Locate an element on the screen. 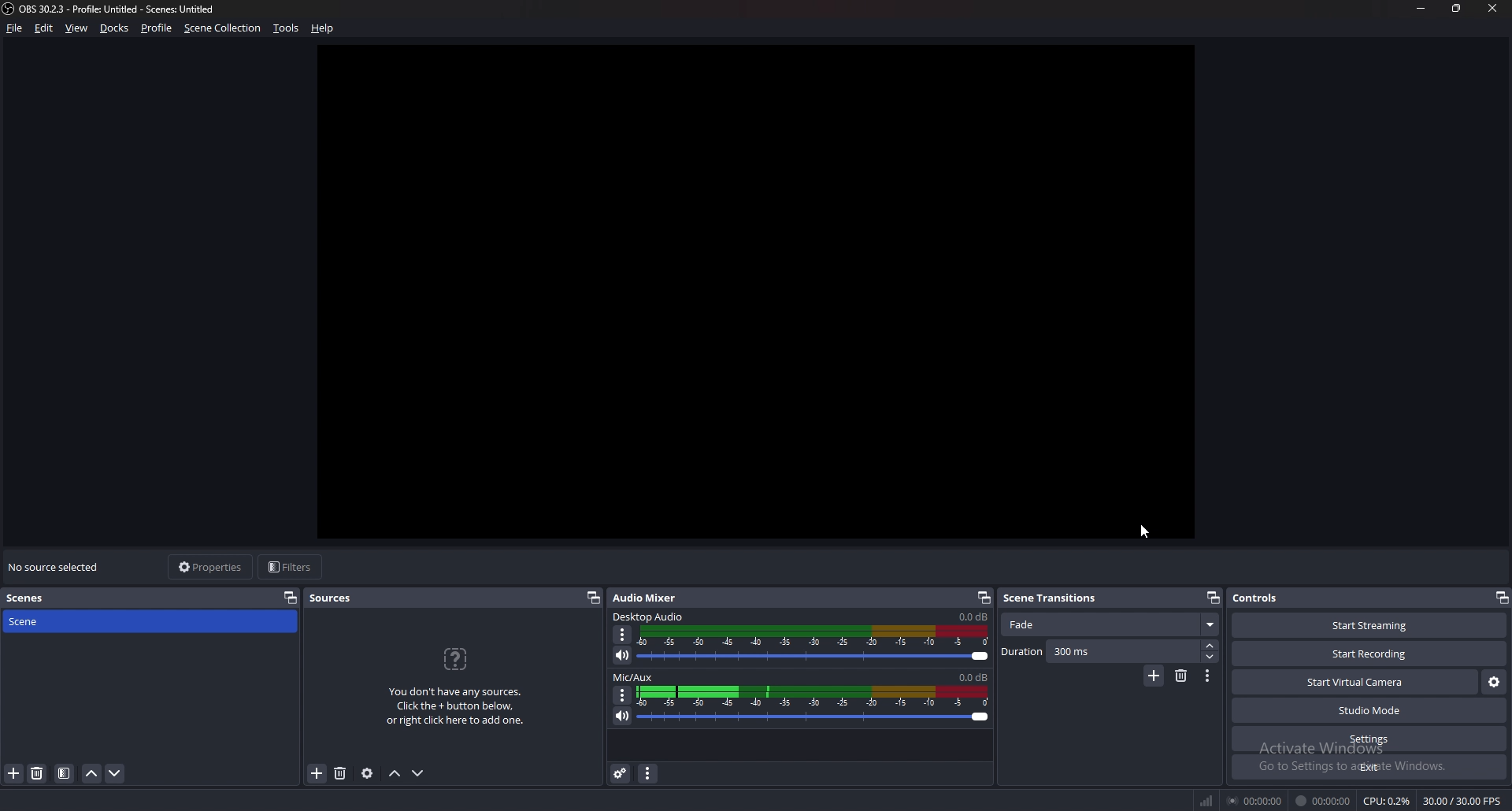 This screenshot has width=1512, height=811. advanced audio properties is located at coordinates (621, 773).